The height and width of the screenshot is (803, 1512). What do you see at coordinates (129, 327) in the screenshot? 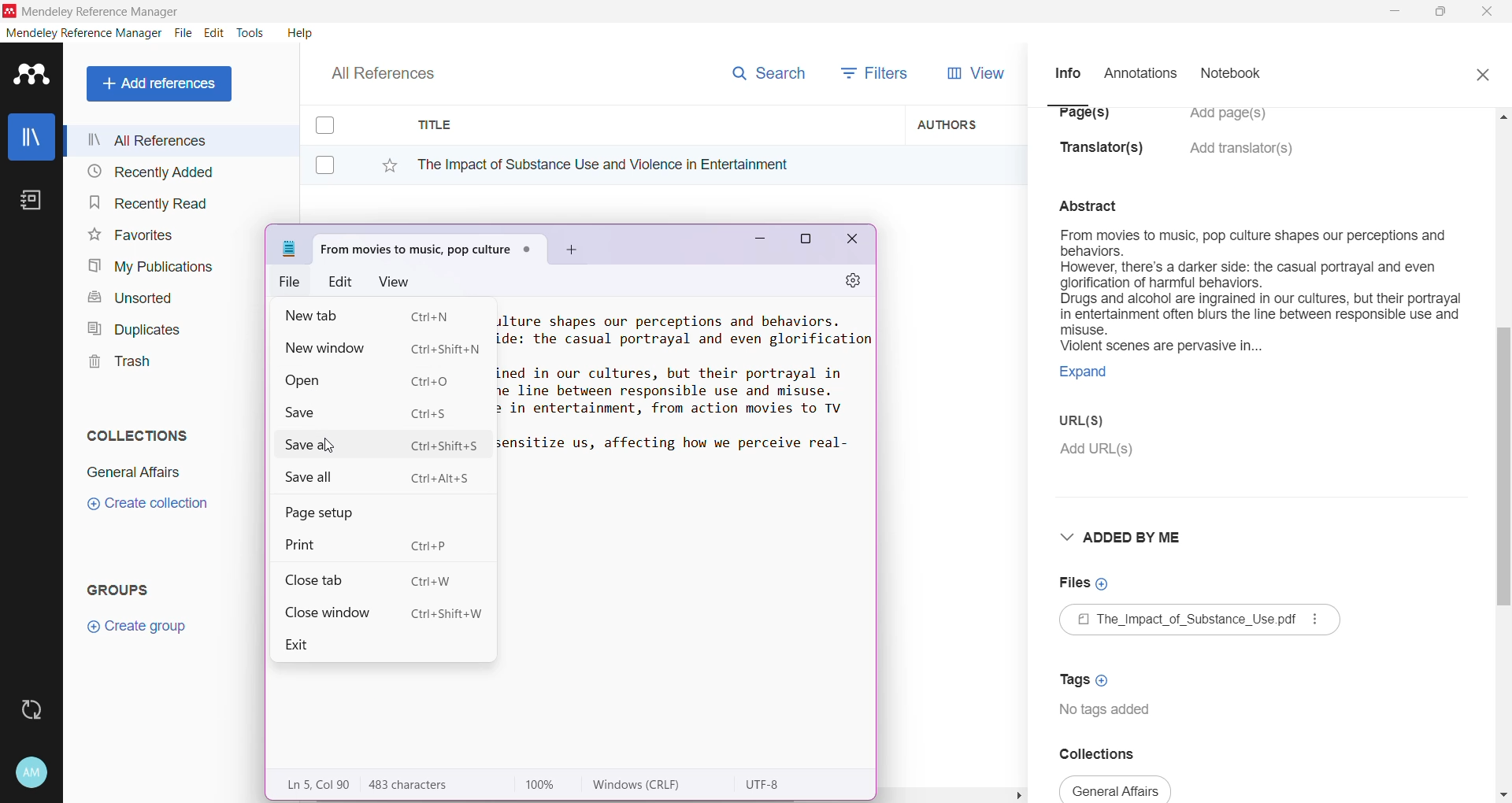
I see `Duplicates` at bounding box center [129, 327].